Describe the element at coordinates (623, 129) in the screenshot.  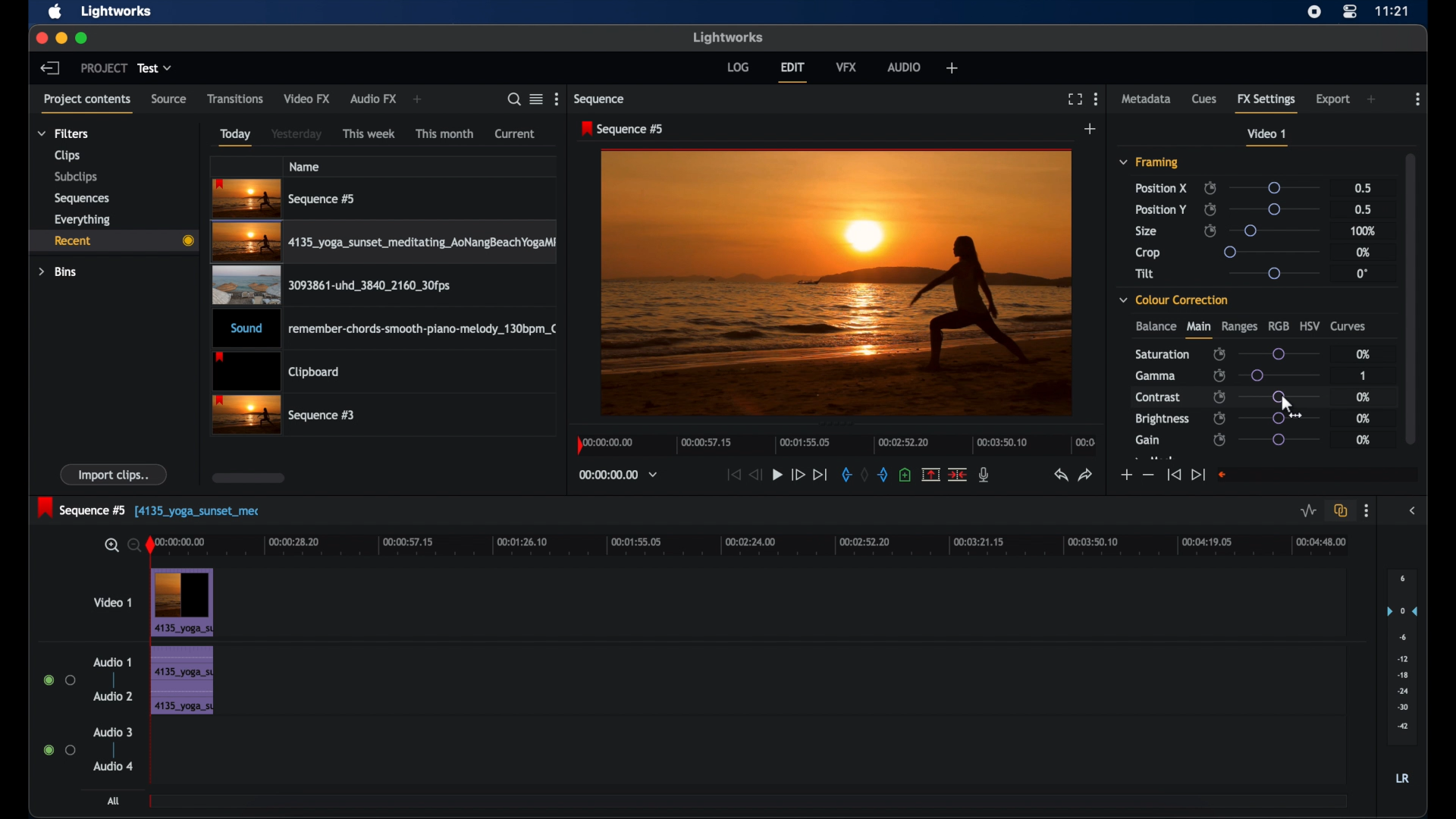
I see `sequence` at that location.